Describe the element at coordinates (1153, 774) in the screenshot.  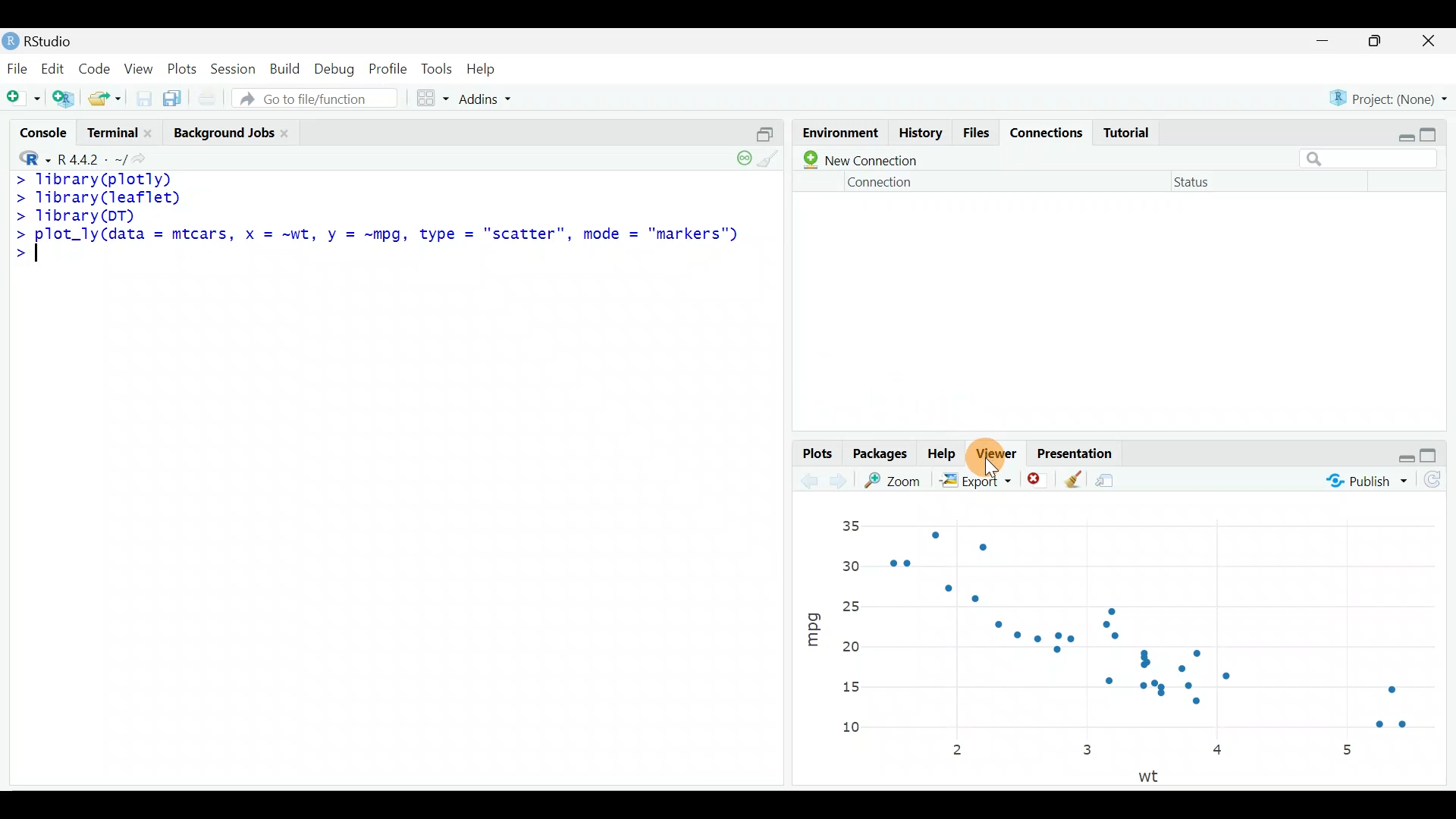
I see `wt` at that location.